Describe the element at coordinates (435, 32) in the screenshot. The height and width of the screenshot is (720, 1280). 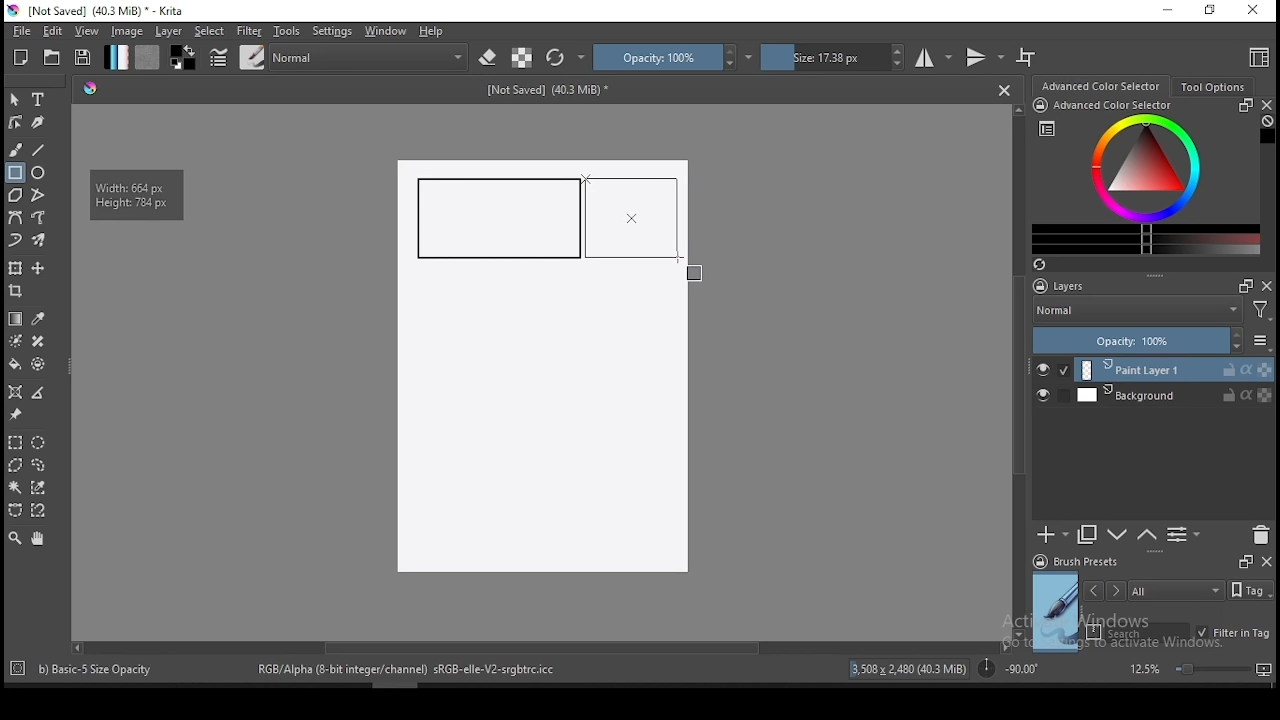
I see `help` at that location.